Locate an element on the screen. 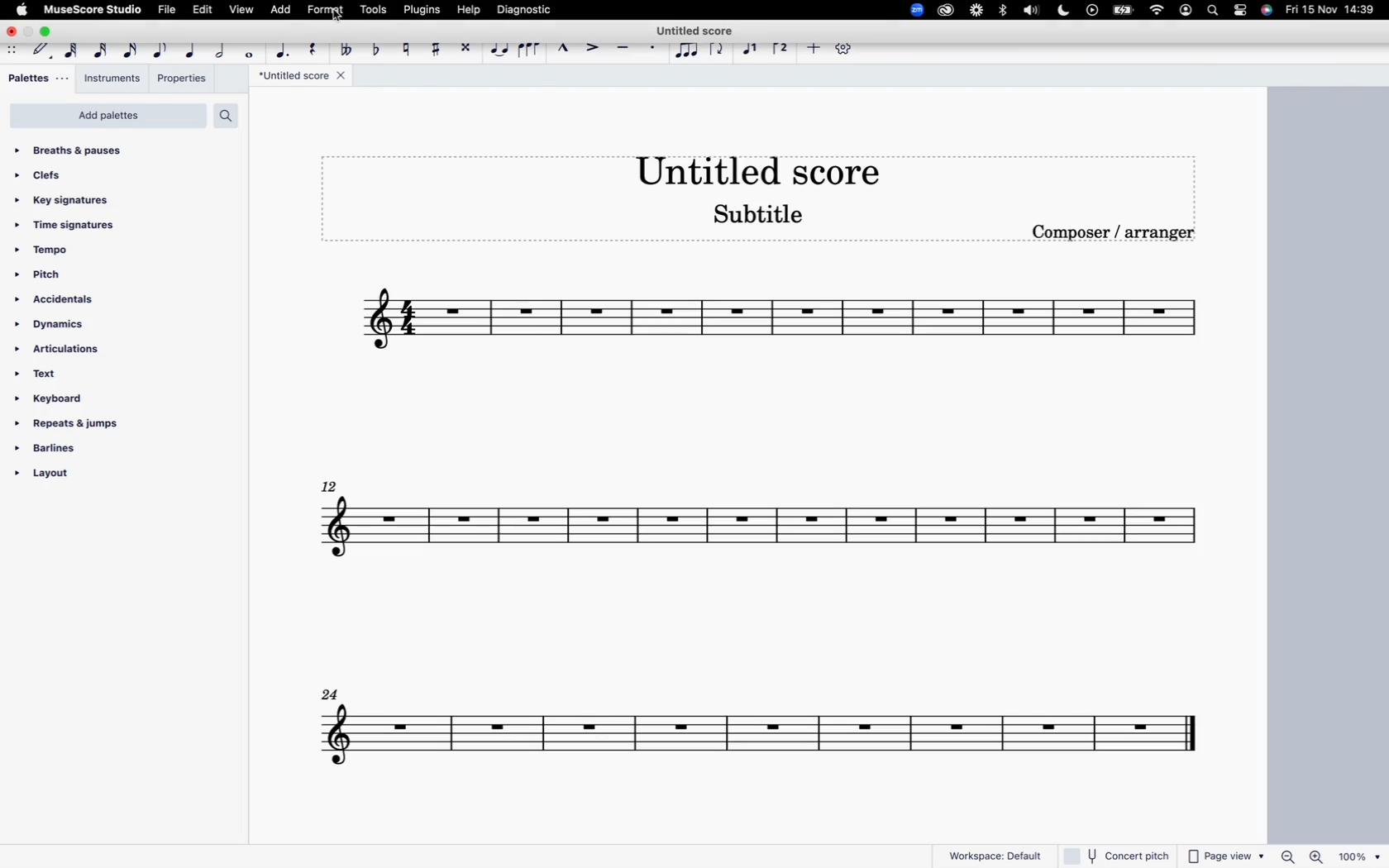 This screenshot has width=1389, height=868. do not distyrh is located at coordinates (1062, 12).